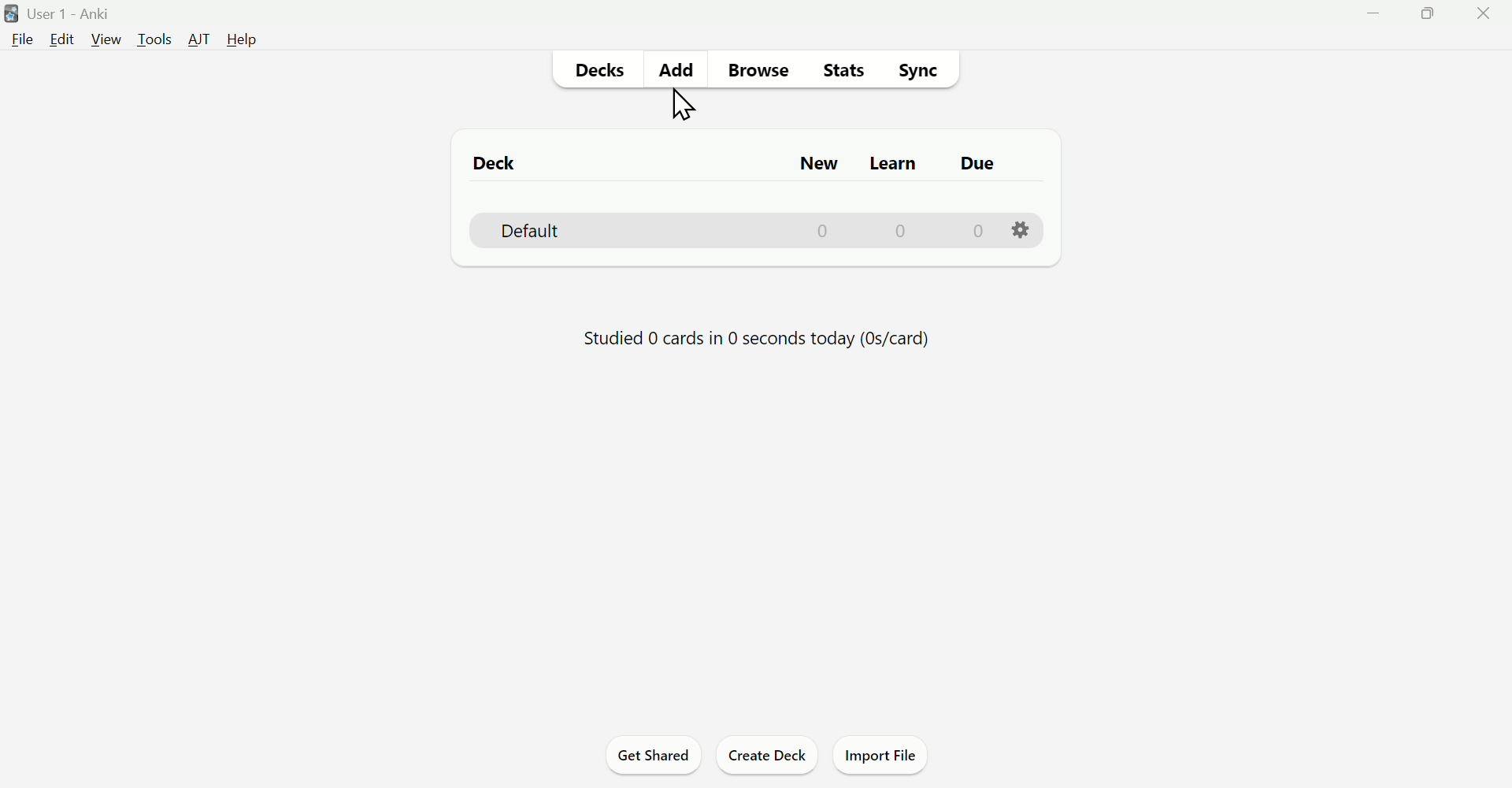 This screenshot has height=788, width=1512. Describe the element at coordinates (64, 39) in the screenshot. I see `Edit` at that location.